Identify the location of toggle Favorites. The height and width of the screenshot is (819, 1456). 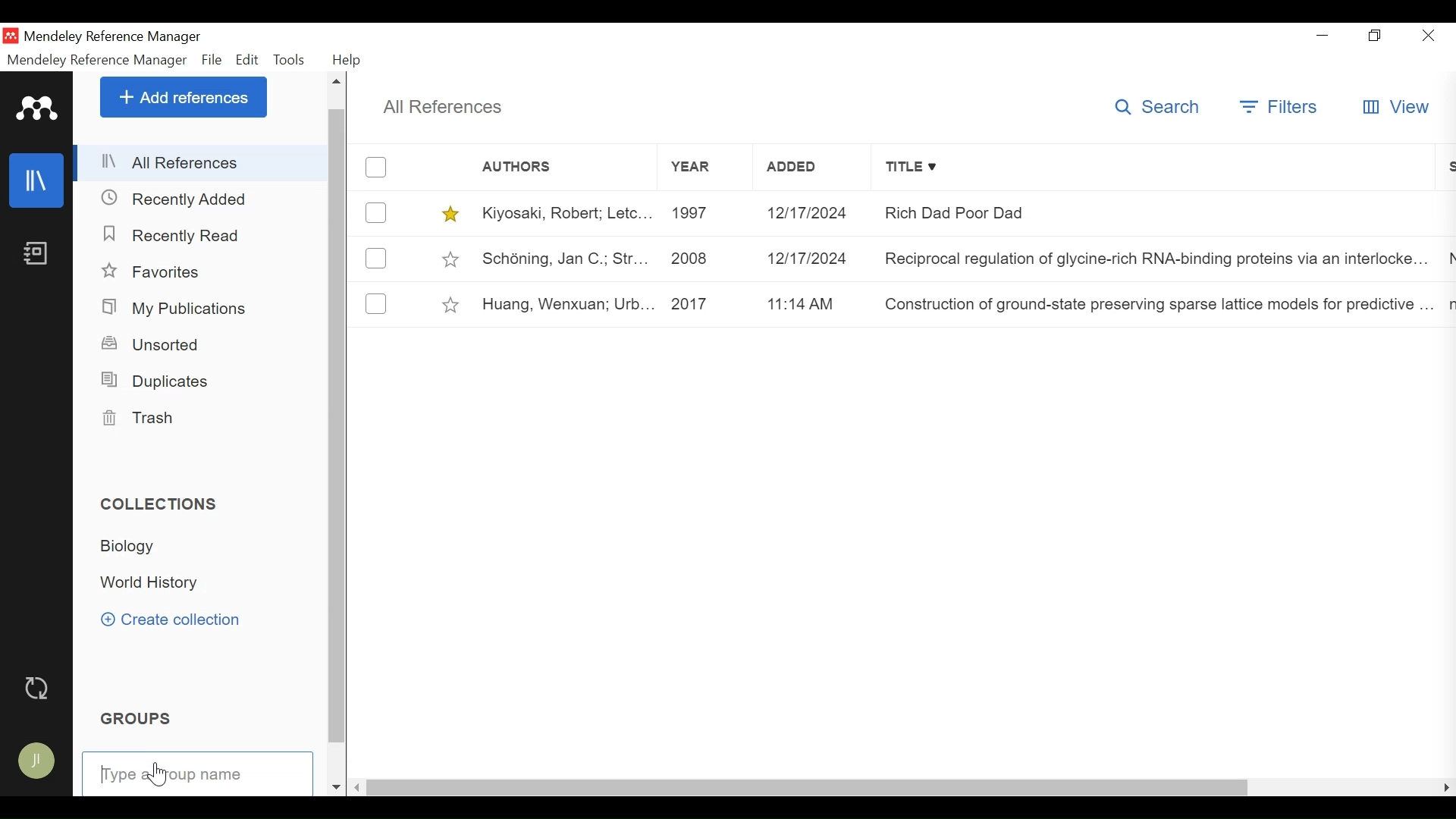
(451, 215).